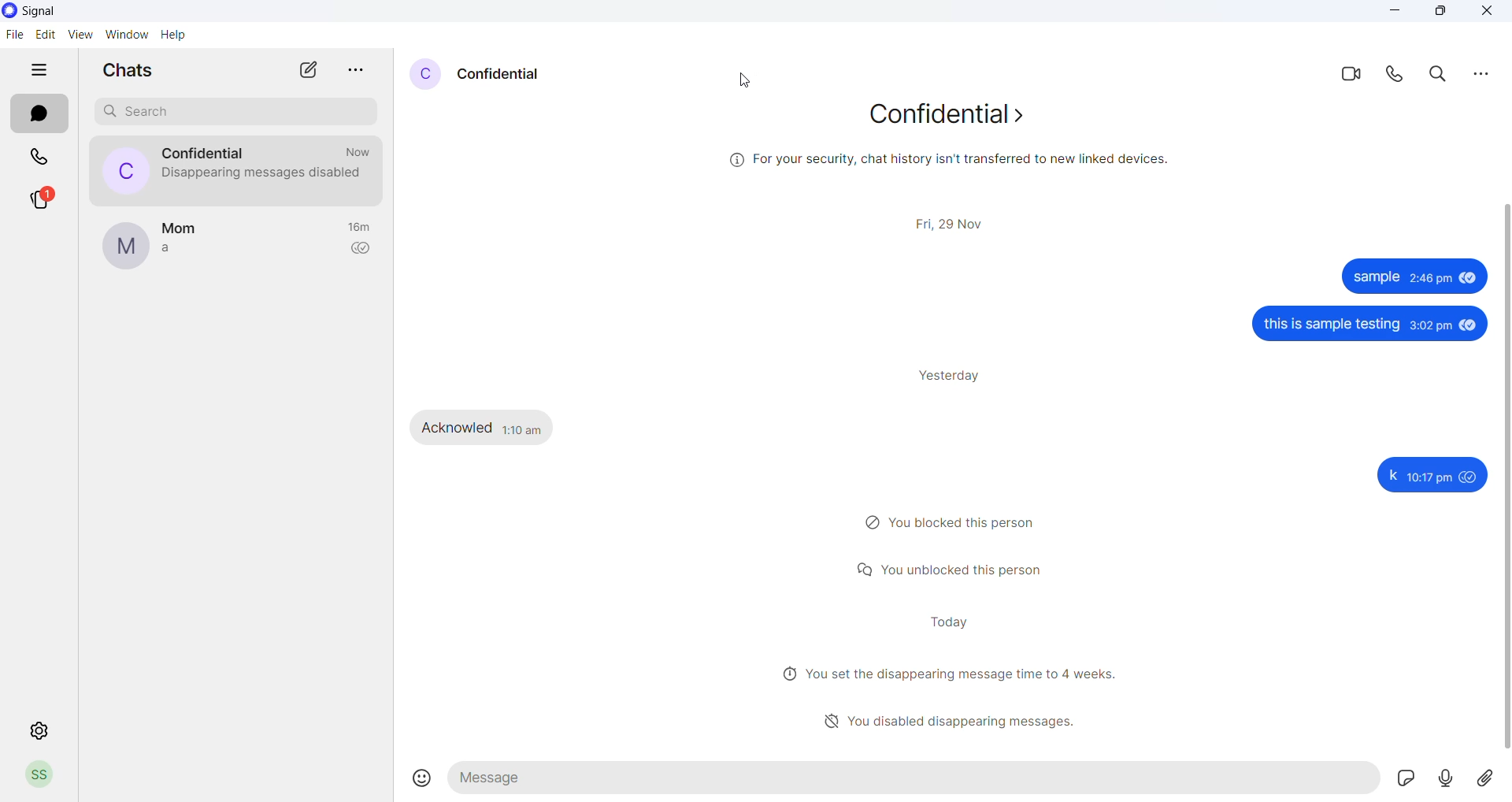  Describe the element at coordinates (230, 113) in the screenshot. I see `search chat` at that location.